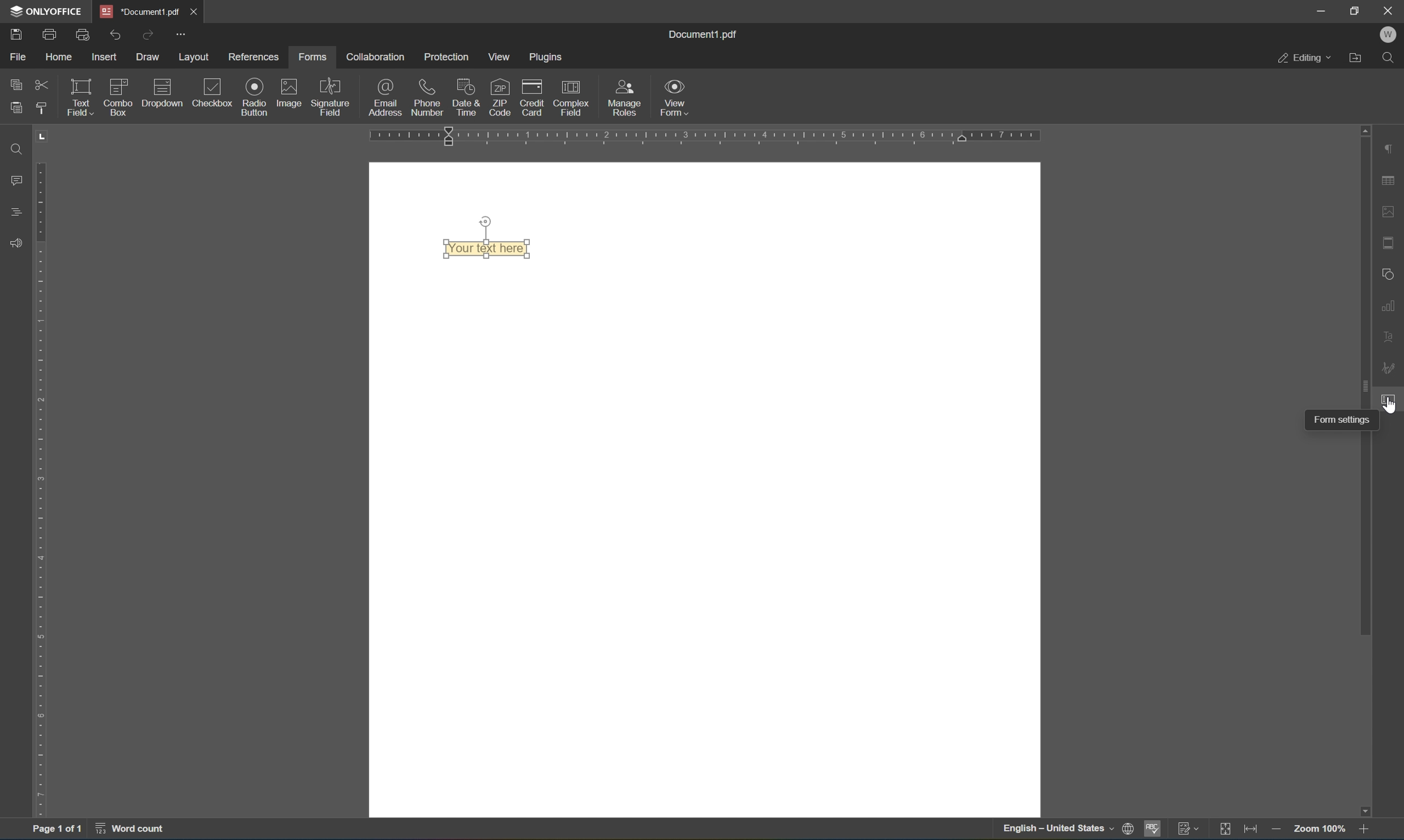 The width and height of the screenshot is (1404, 840). I want to click on text art settings, so click(1393, 340).